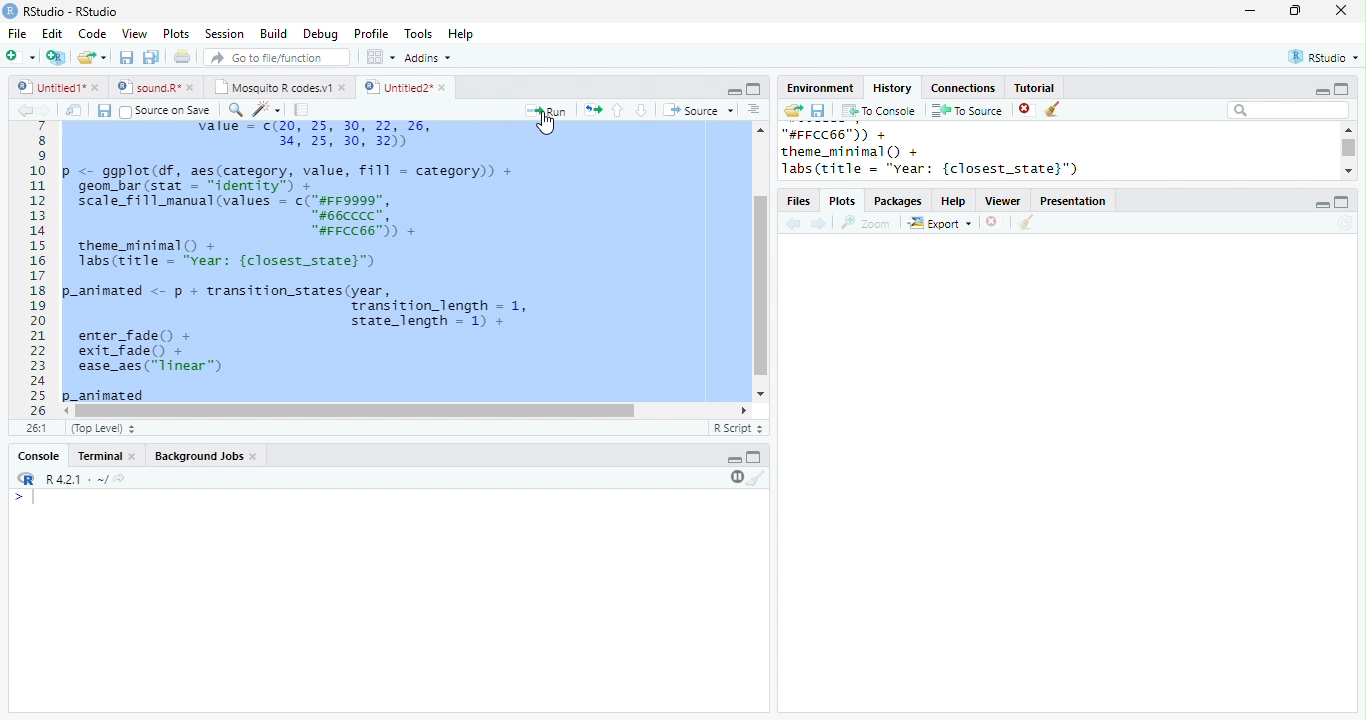 This screenshot has height=720, width=1366. I want to click on View, so click(135, 33).